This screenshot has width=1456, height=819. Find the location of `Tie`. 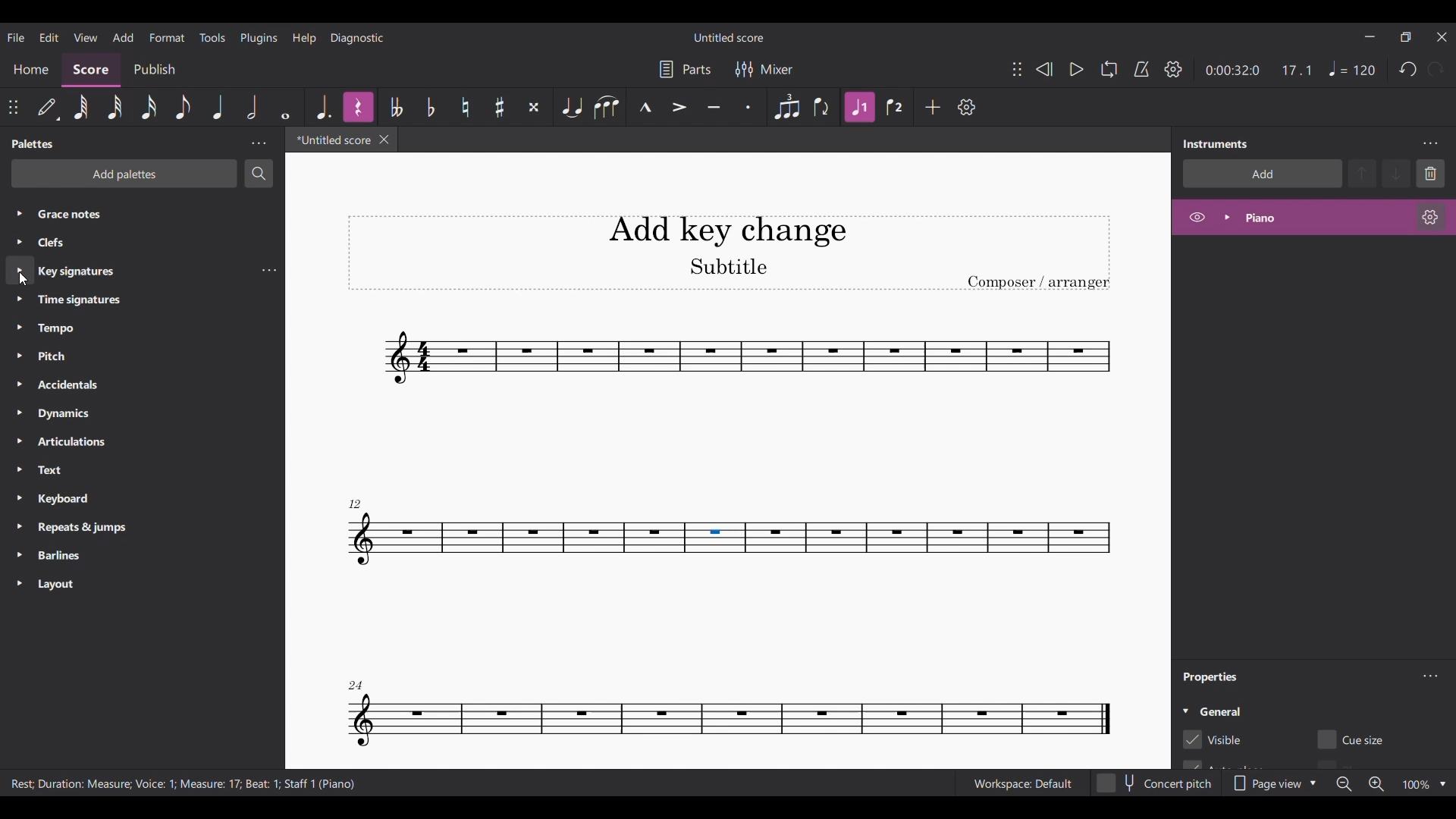

Tie is located at coordinates (572, 107).